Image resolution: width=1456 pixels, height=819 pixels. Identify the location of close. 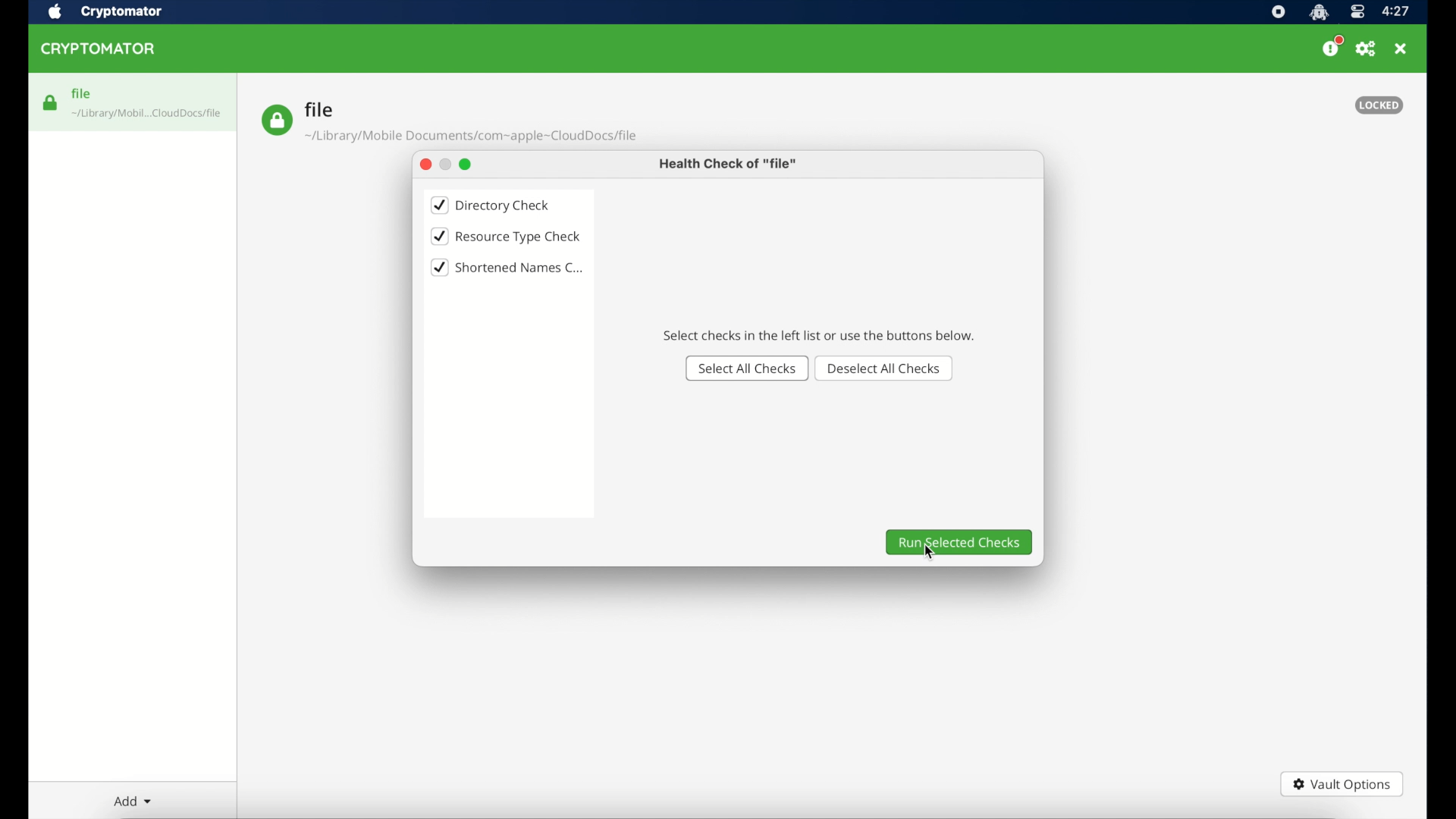
(422, 165).